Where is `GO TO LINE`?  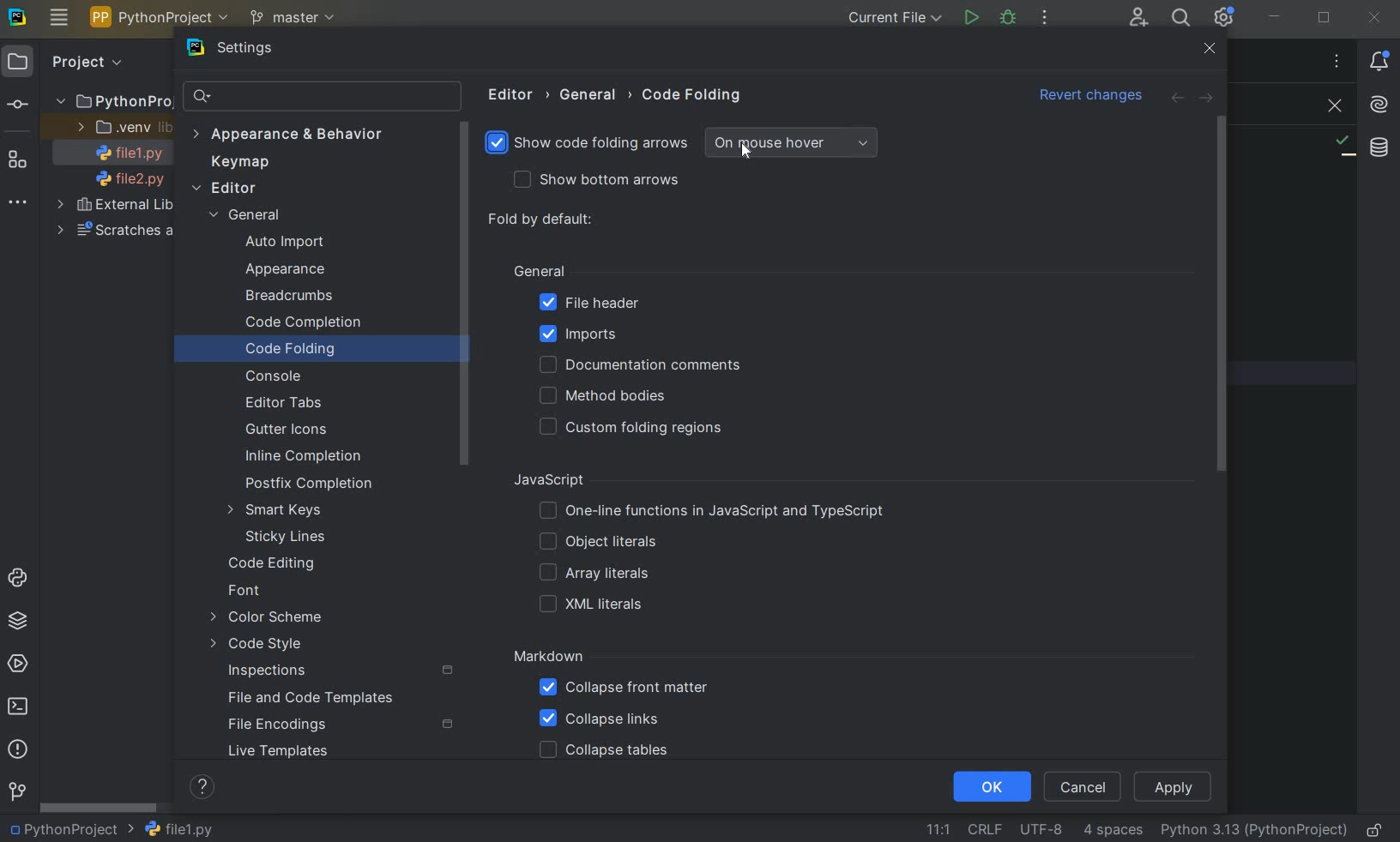 GO TO LINE is located at coordinates (936, 827).